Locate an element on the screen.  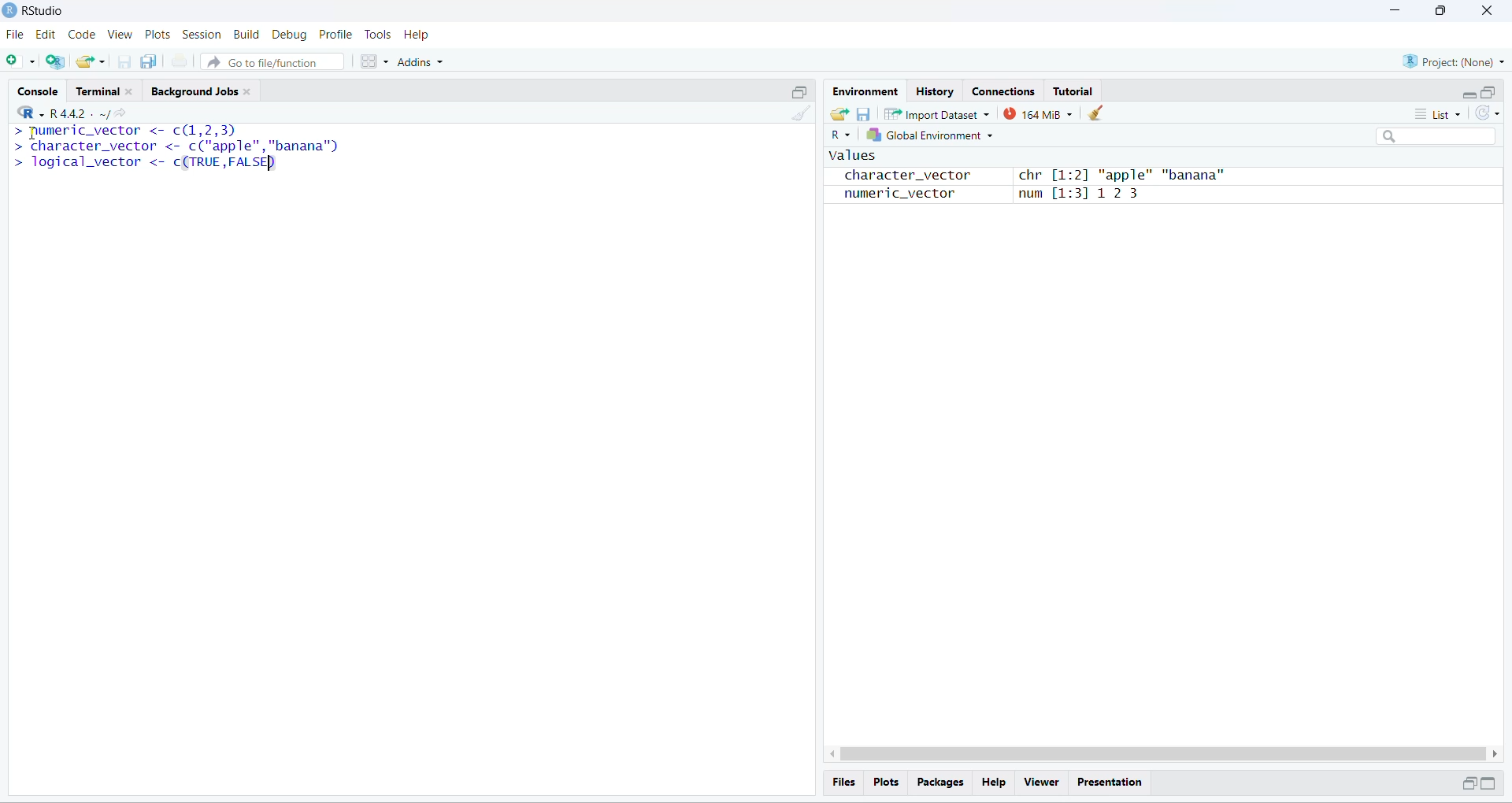
maximize is located at coordinates (1488, 92).